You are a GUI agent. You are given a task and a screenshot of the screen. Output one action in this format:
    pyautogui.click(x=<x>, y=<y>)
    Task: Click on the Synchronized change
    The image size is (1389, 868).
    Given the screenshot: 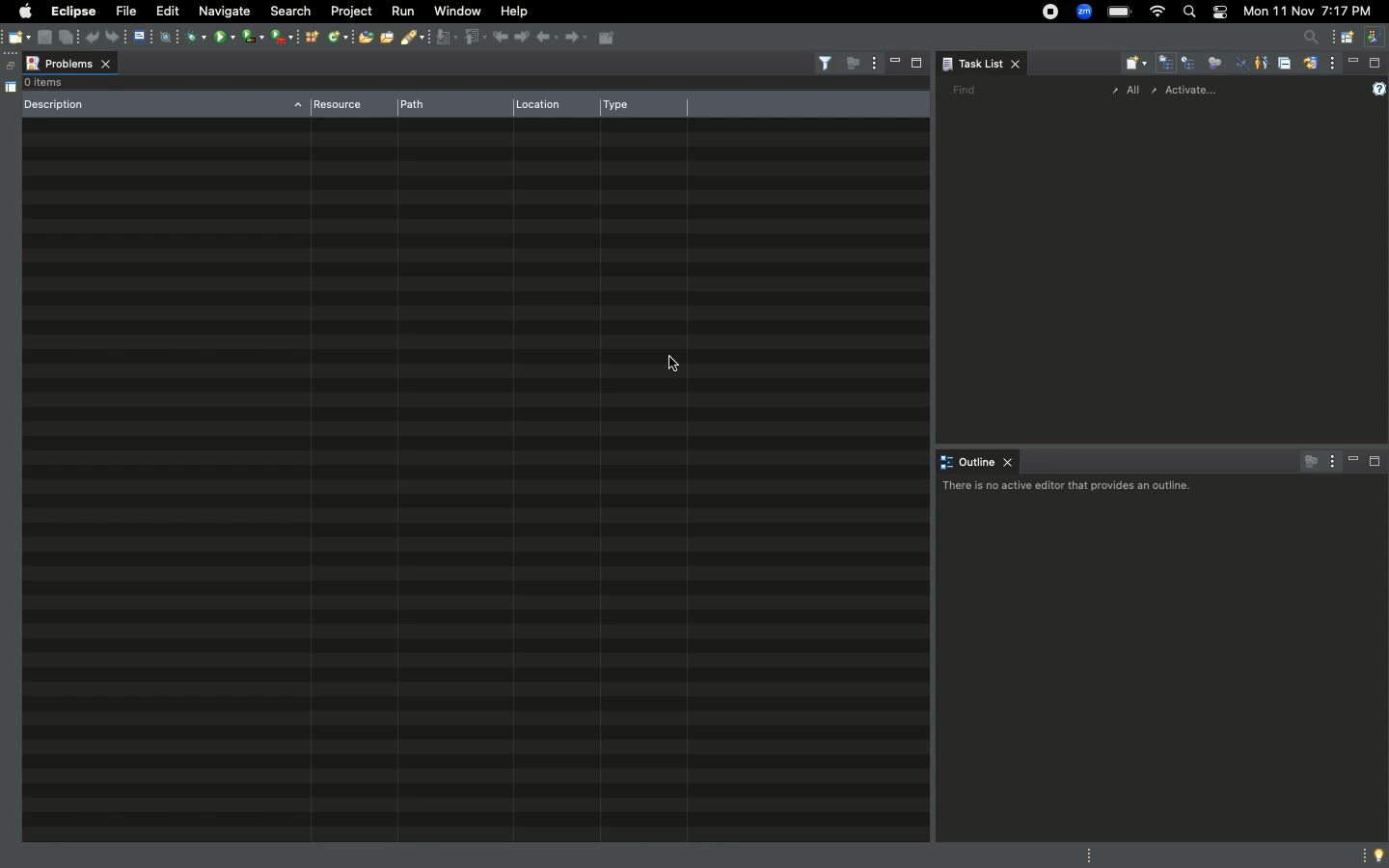 What is the action you would take?
    pyautogui.click(x=1310, y=68)
    